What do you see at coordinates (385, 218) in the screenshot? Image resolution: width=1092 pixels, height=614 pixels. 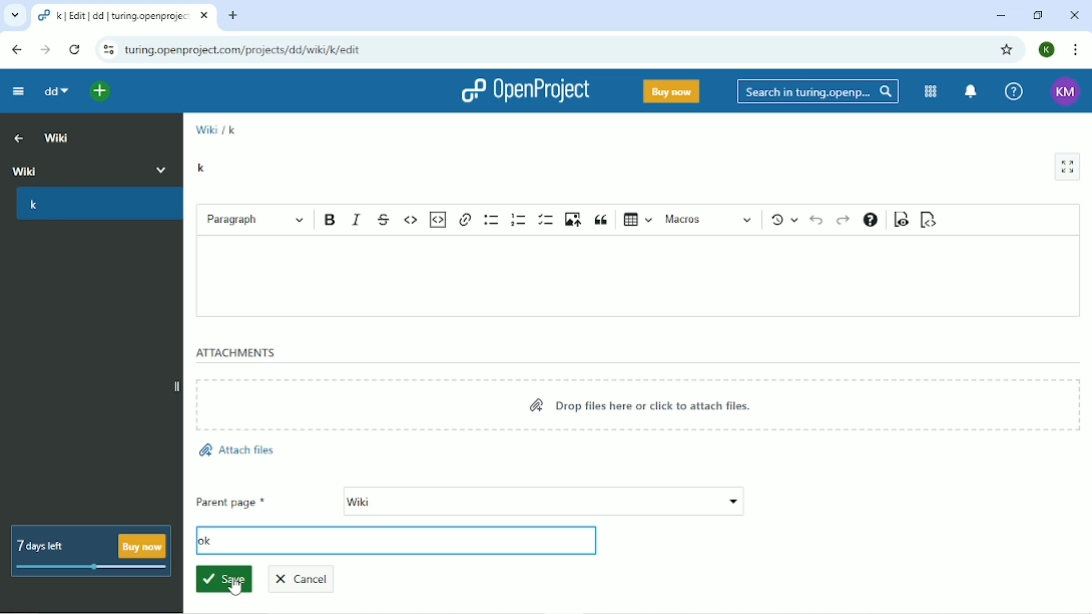 I see `Strikethrough` at bounding box center [385, 218].